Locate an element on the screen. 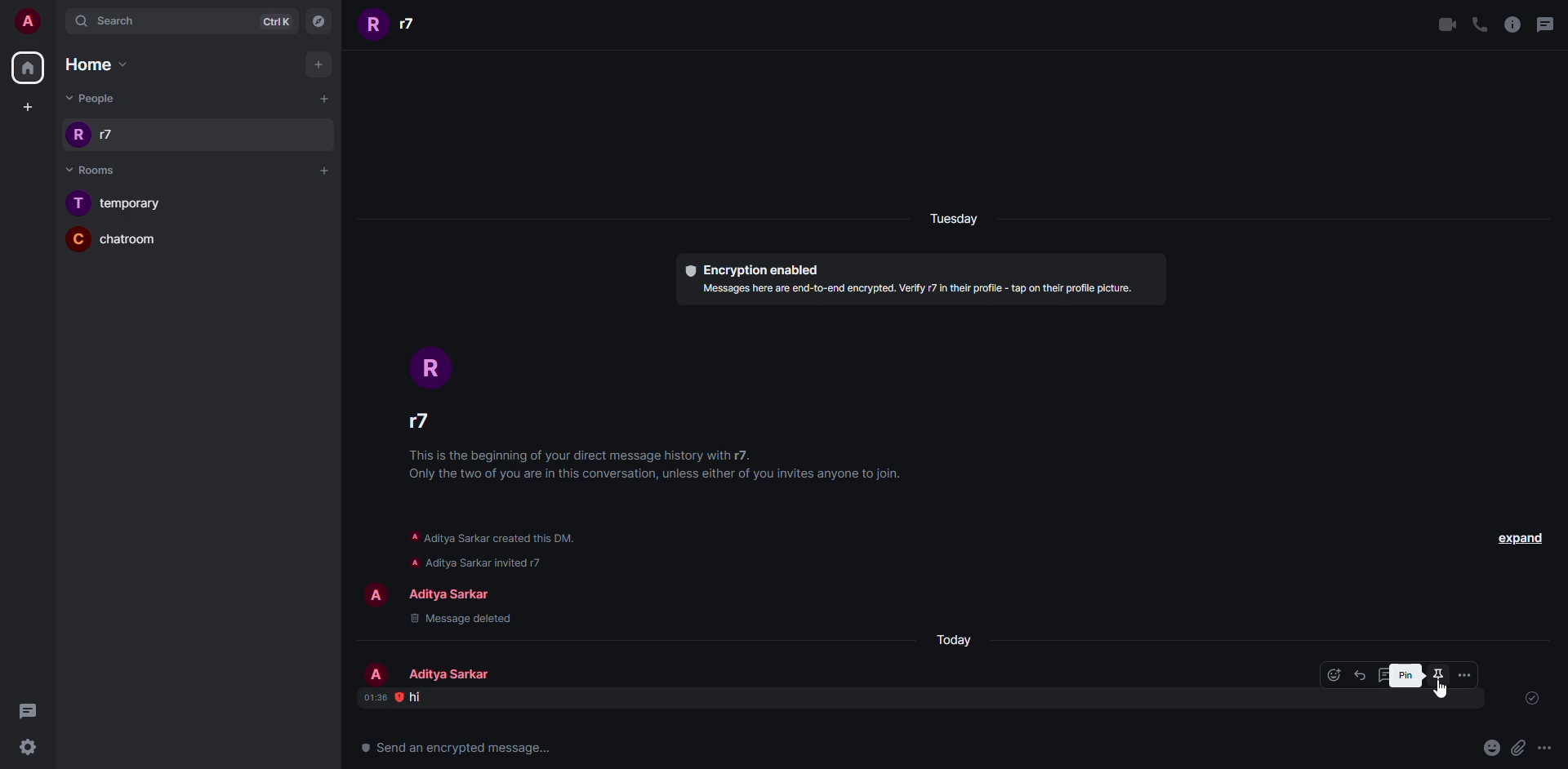 The width and height of the screenshot is (1568, 769). reply is located at coordinates (1366, 675).